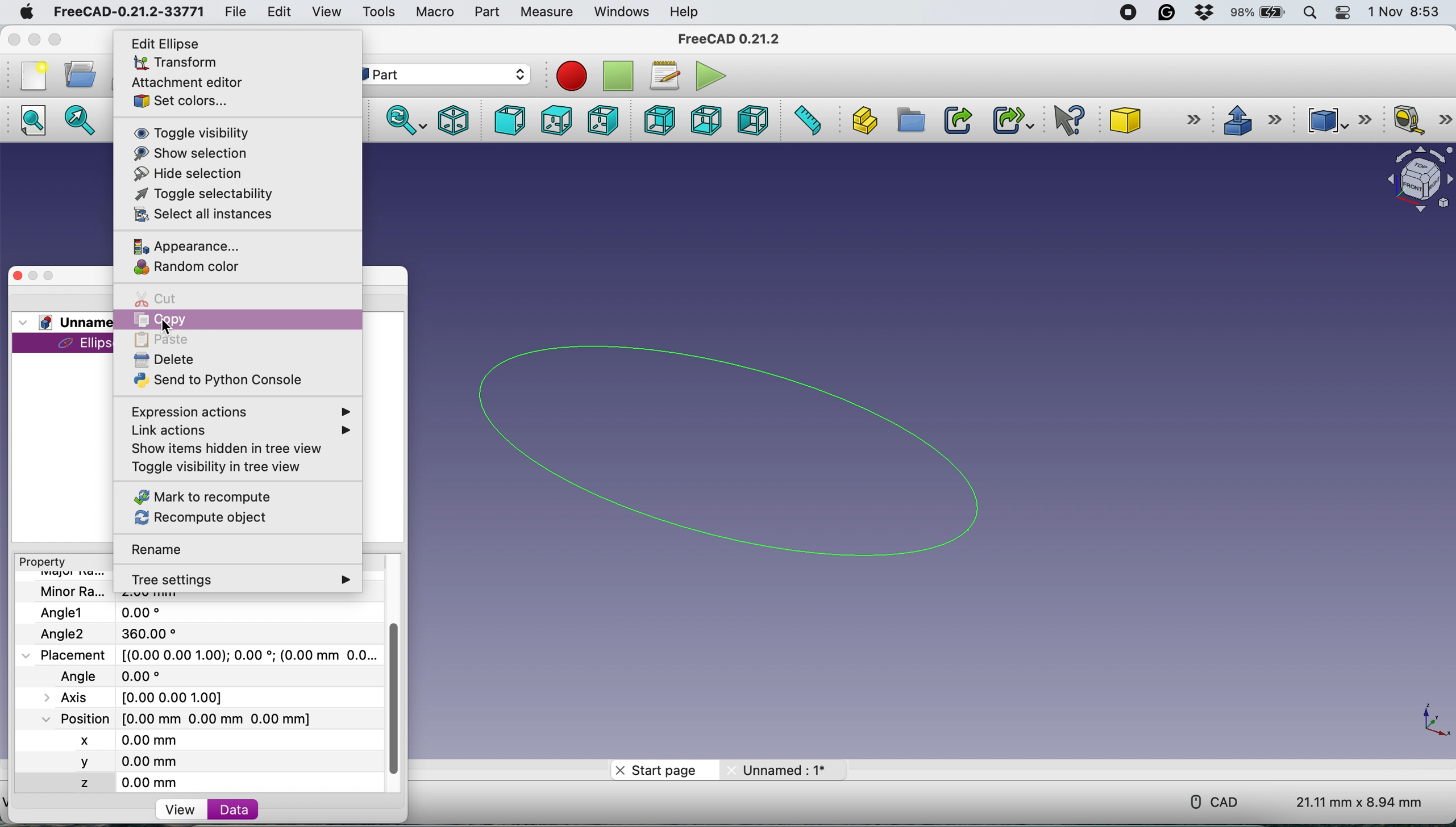 This screenshot has width=1456, height=827. What do you see at coordinates (454, 119) in the screenshot?
I see `isometric` at bounding box center [454, 119].